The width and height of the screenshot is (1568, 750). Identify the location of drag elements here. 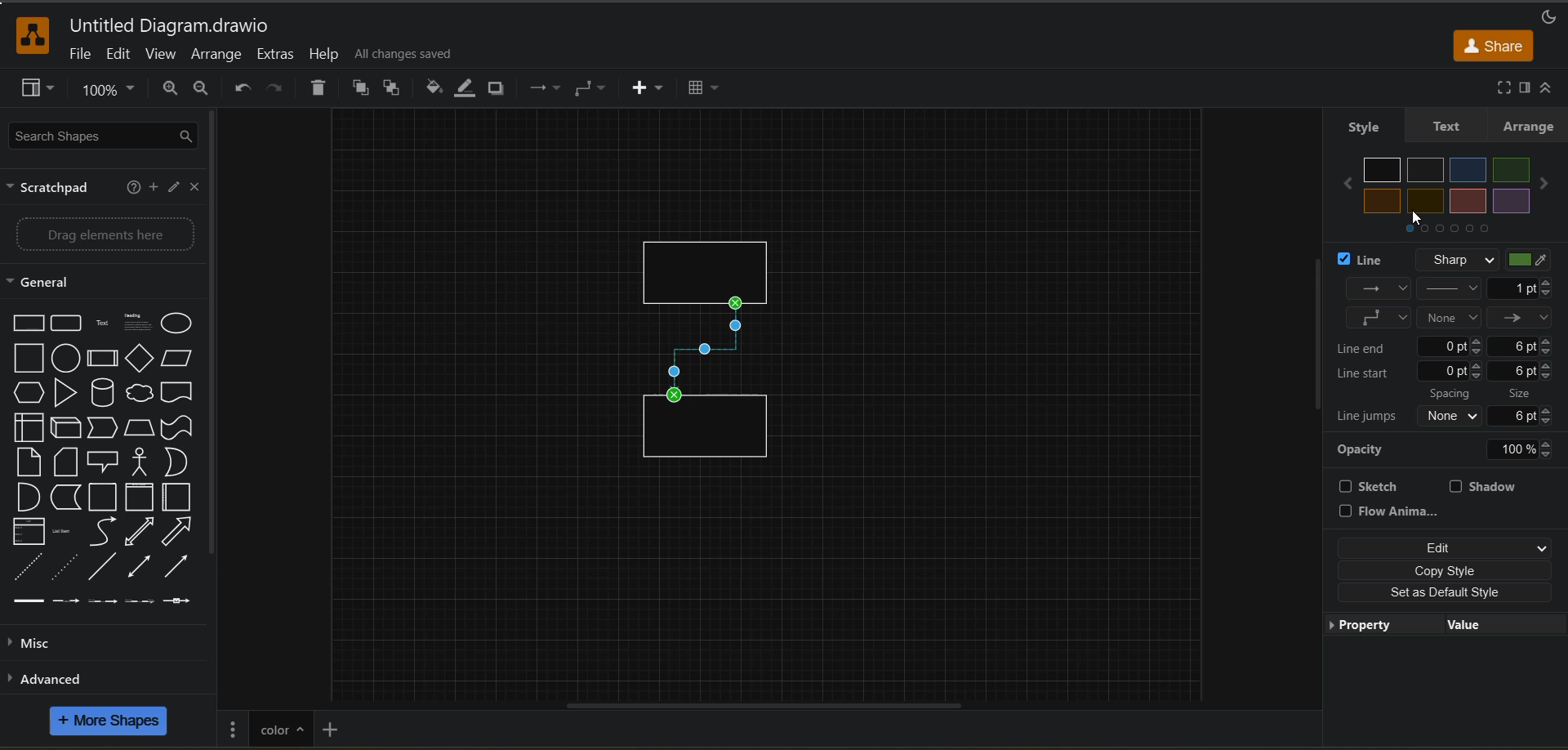
(109, 234).